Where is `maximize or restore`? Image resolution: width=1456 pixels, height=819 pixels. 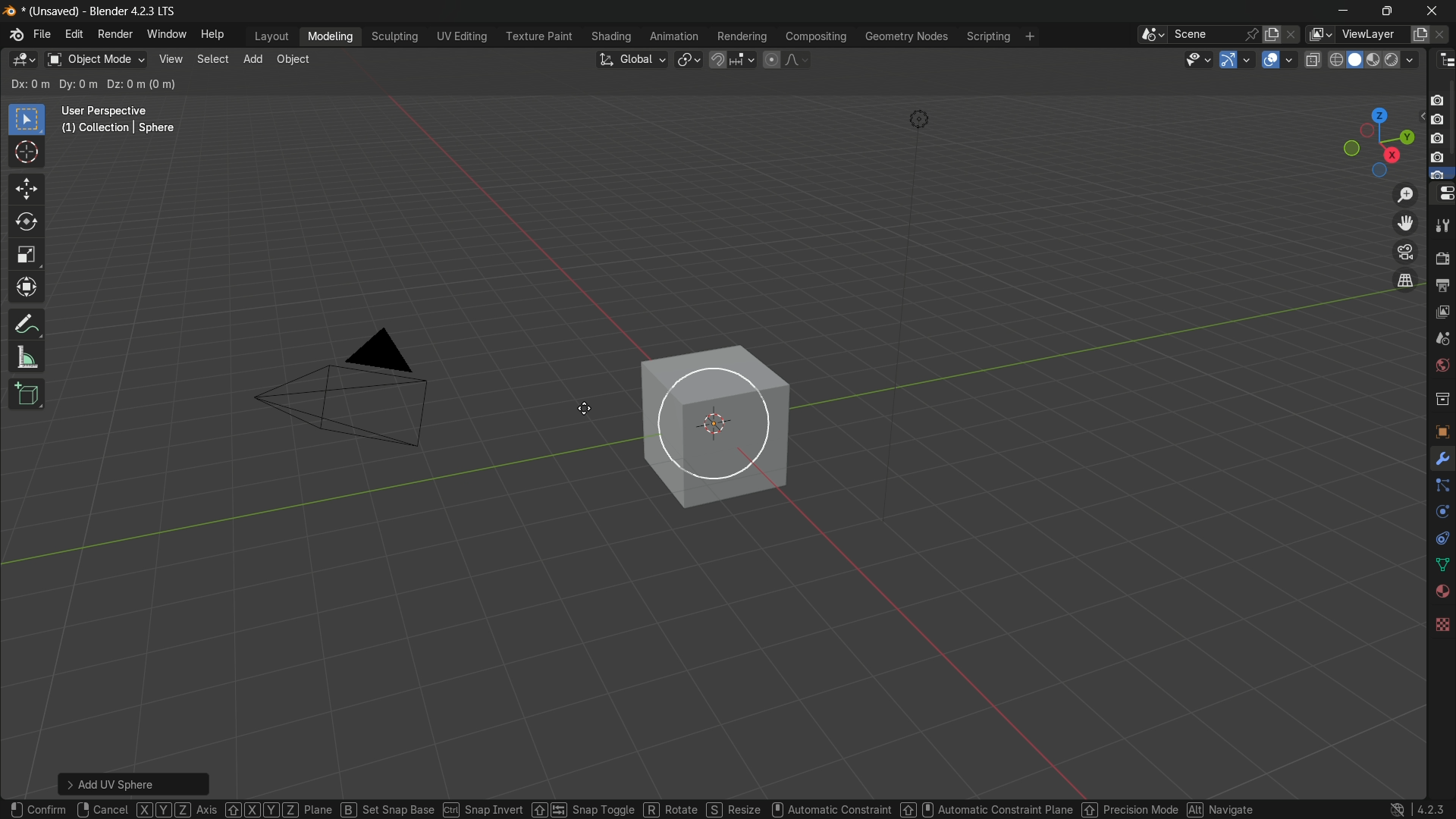
maximize or restore is located at coordinates (1389, 12).